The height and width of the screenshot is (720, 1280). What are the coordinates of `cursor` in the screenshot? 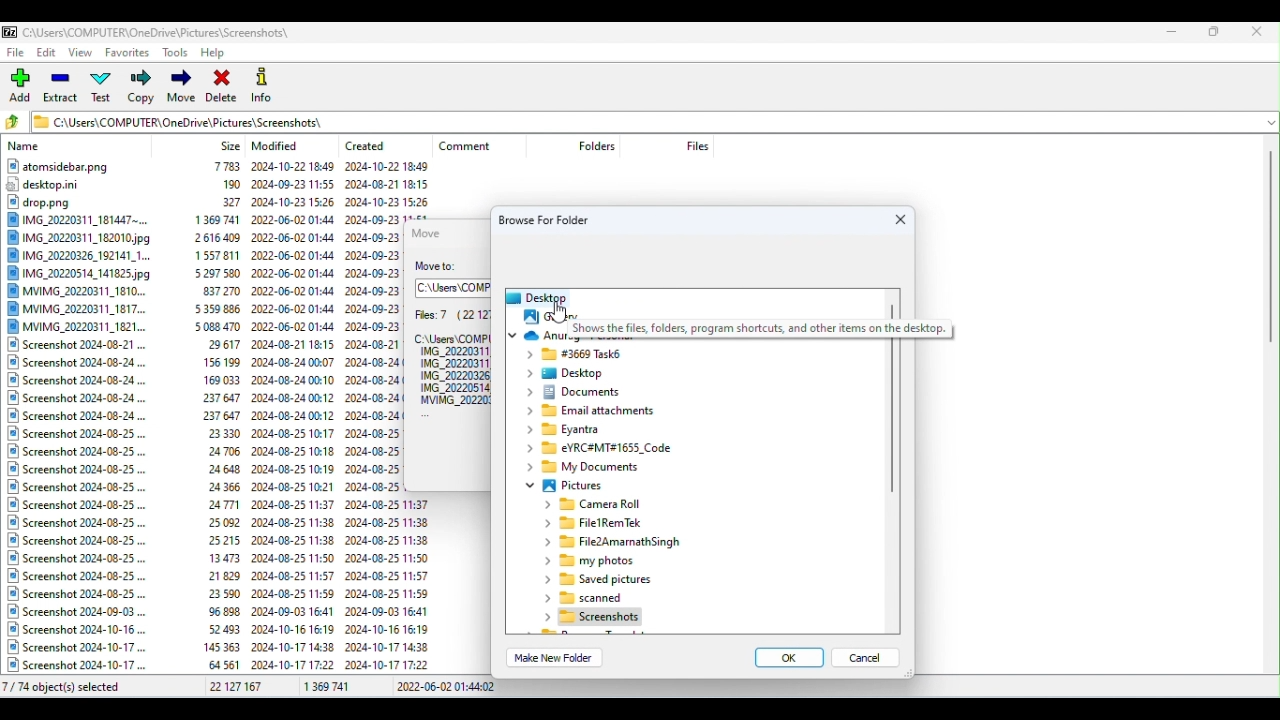 It's located at (559, 313).